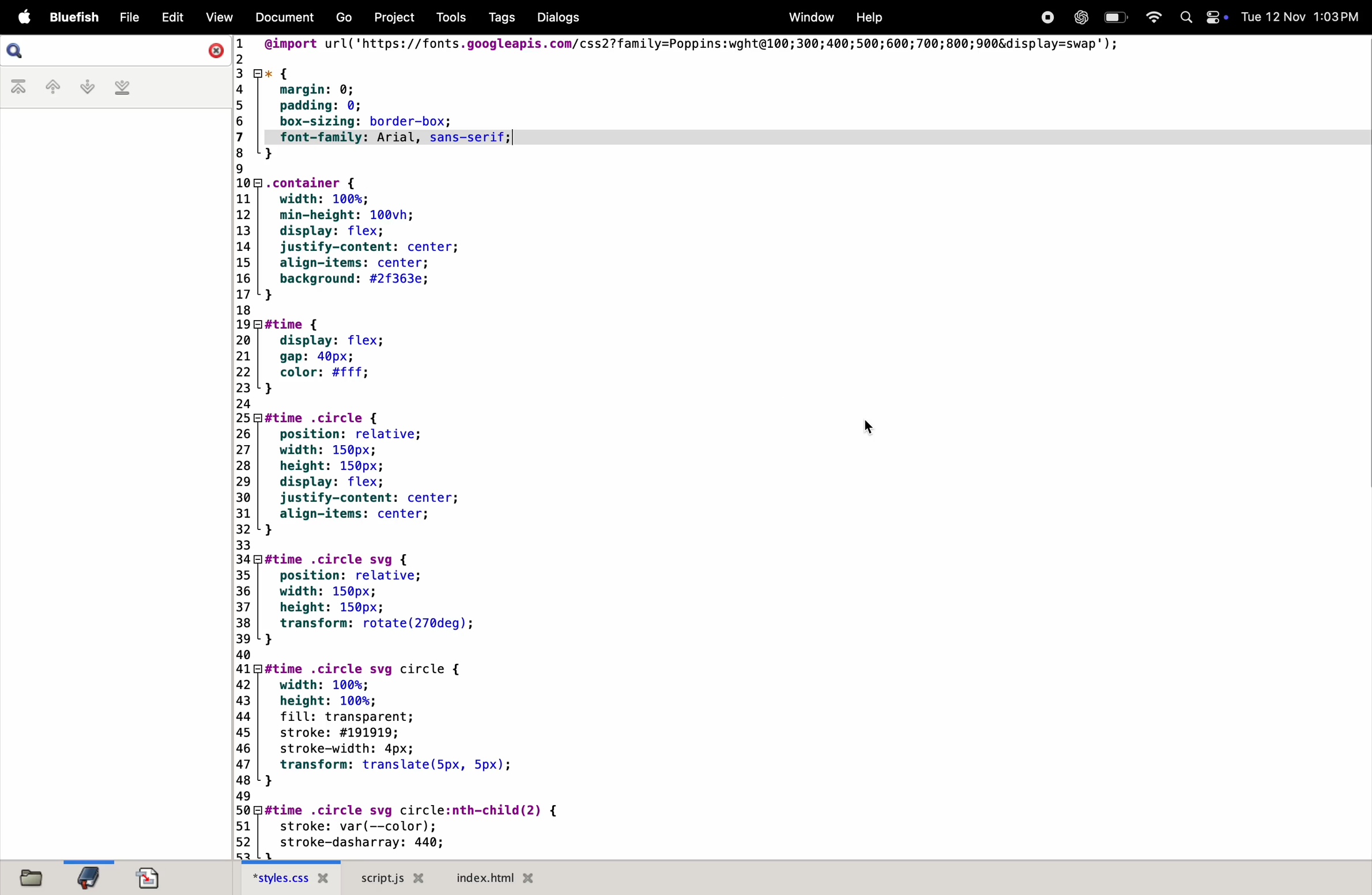 The image size is (1372, 895). Describe the element at coordinates (18, 88) in the screenshot. I see `First bookmark` at that location.